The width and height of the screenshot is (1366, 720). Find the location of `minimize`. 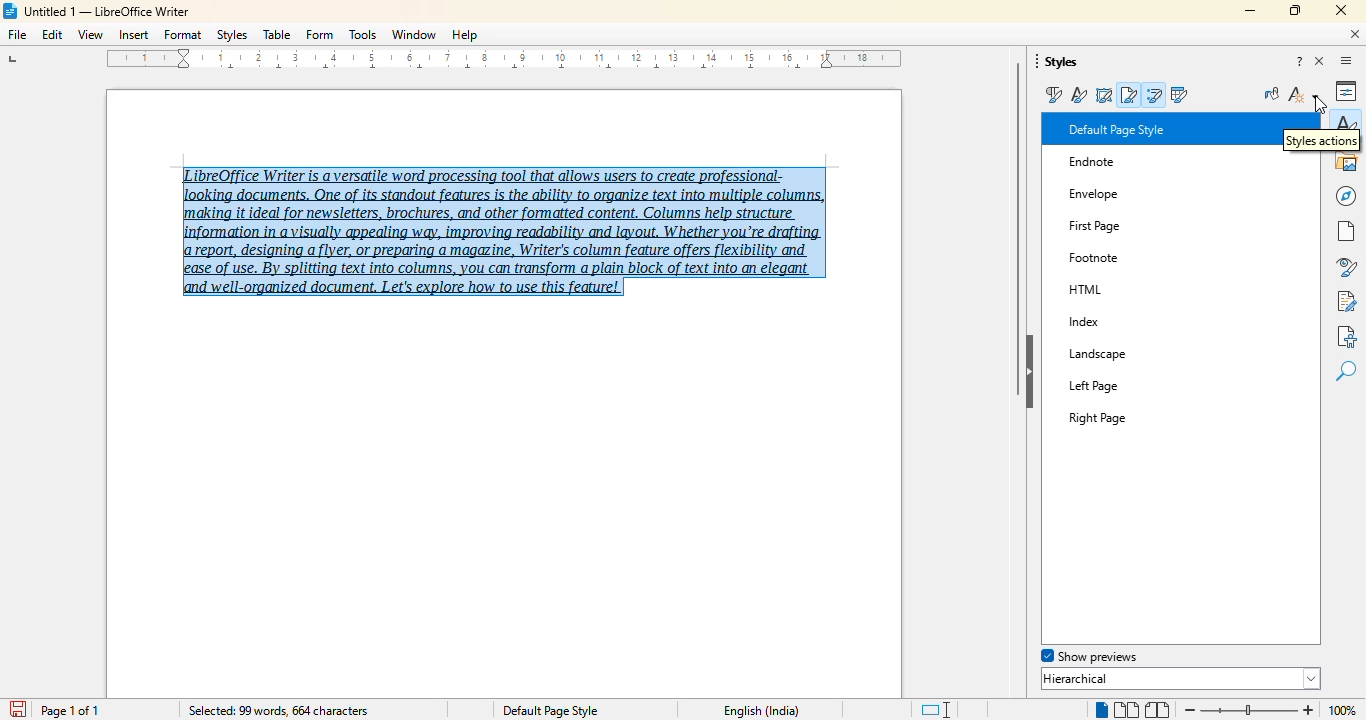

minimize is located at coordinates (1251, 10).